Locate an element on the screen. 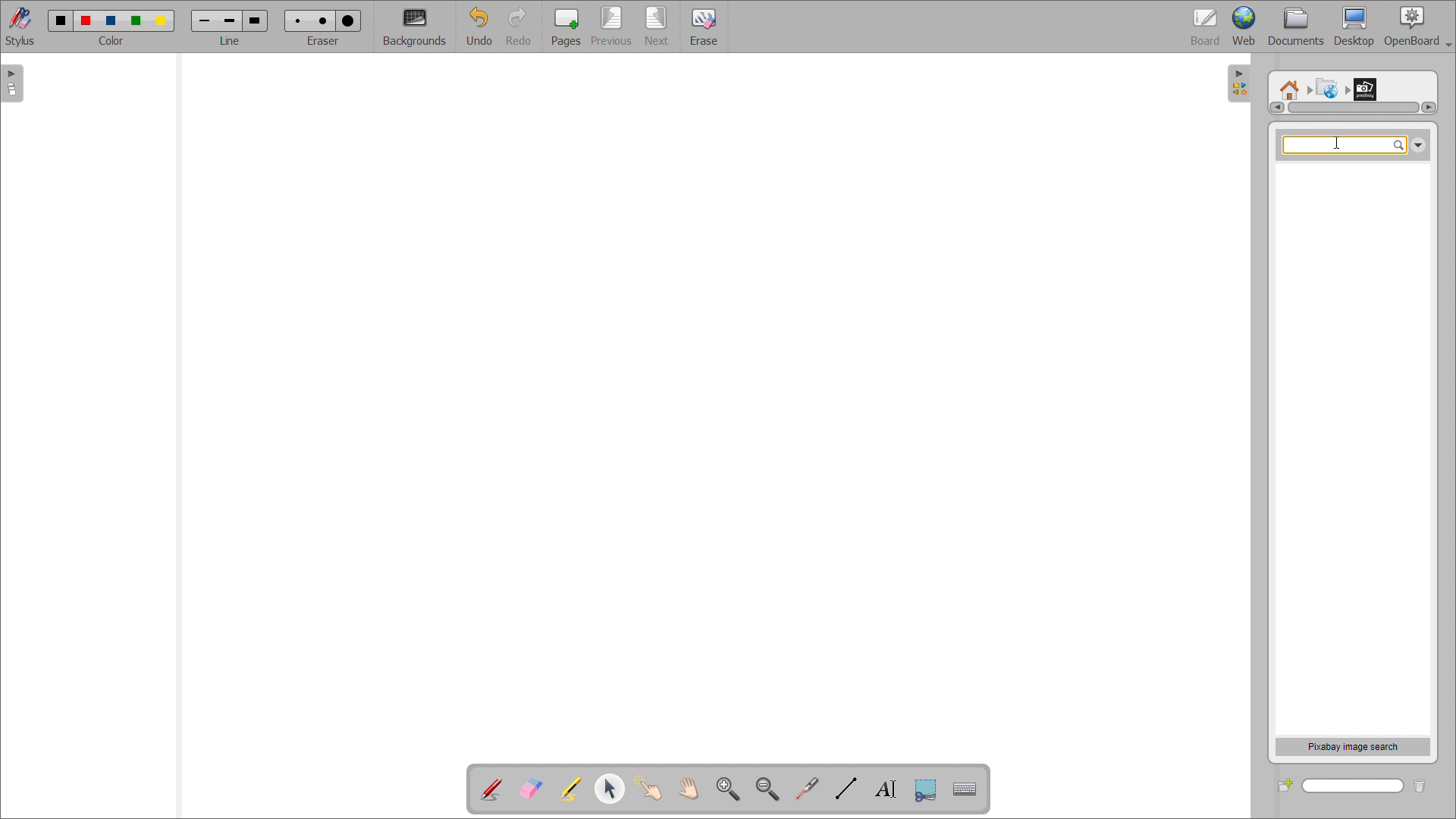 Image resolution: width=1456 pixels, height=819 pixels. Cursor is located at coordinates (1339, 143).